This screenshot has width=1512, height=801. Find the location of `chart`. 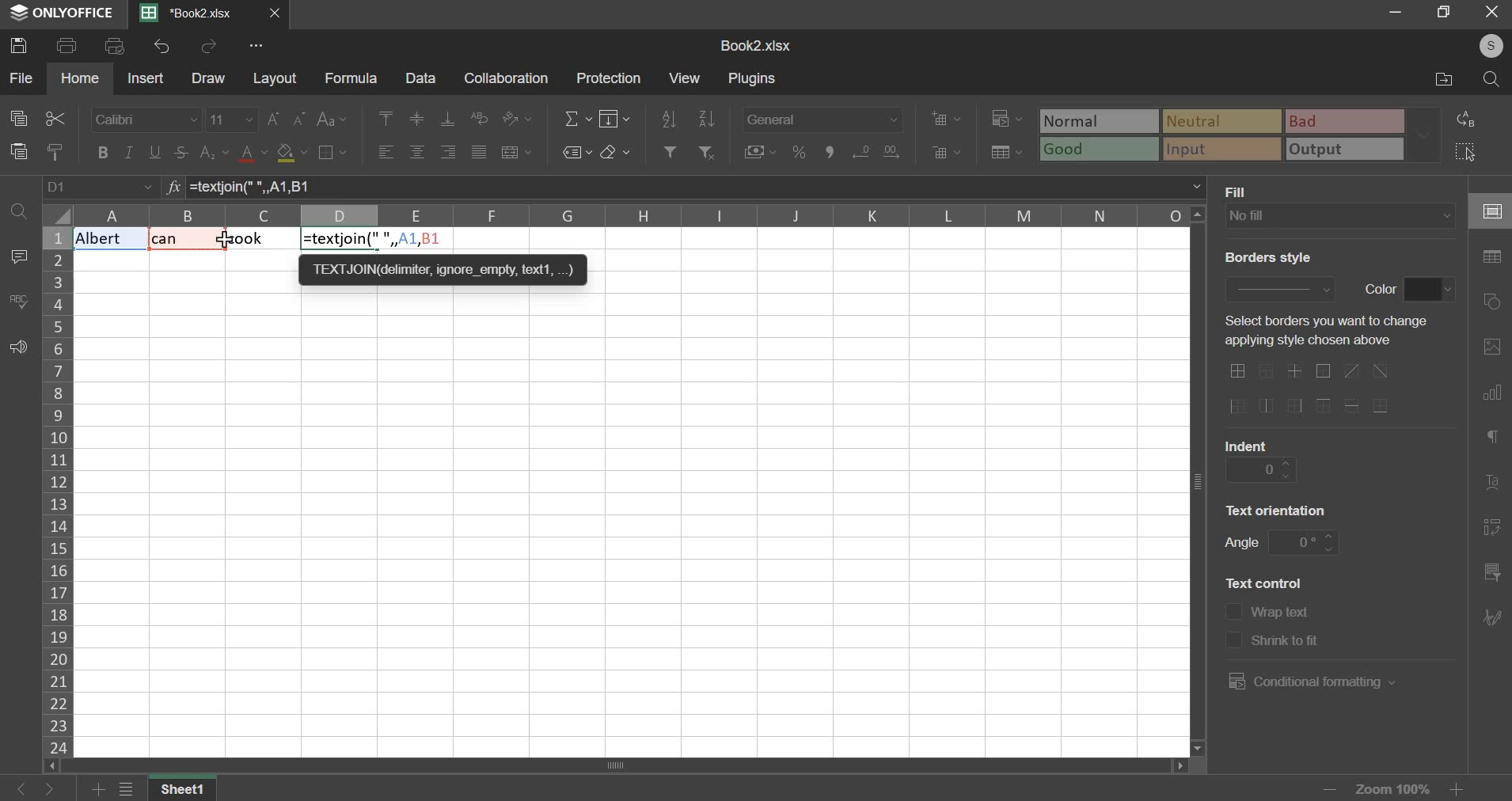

chart is located at coordinates (1491, 396).